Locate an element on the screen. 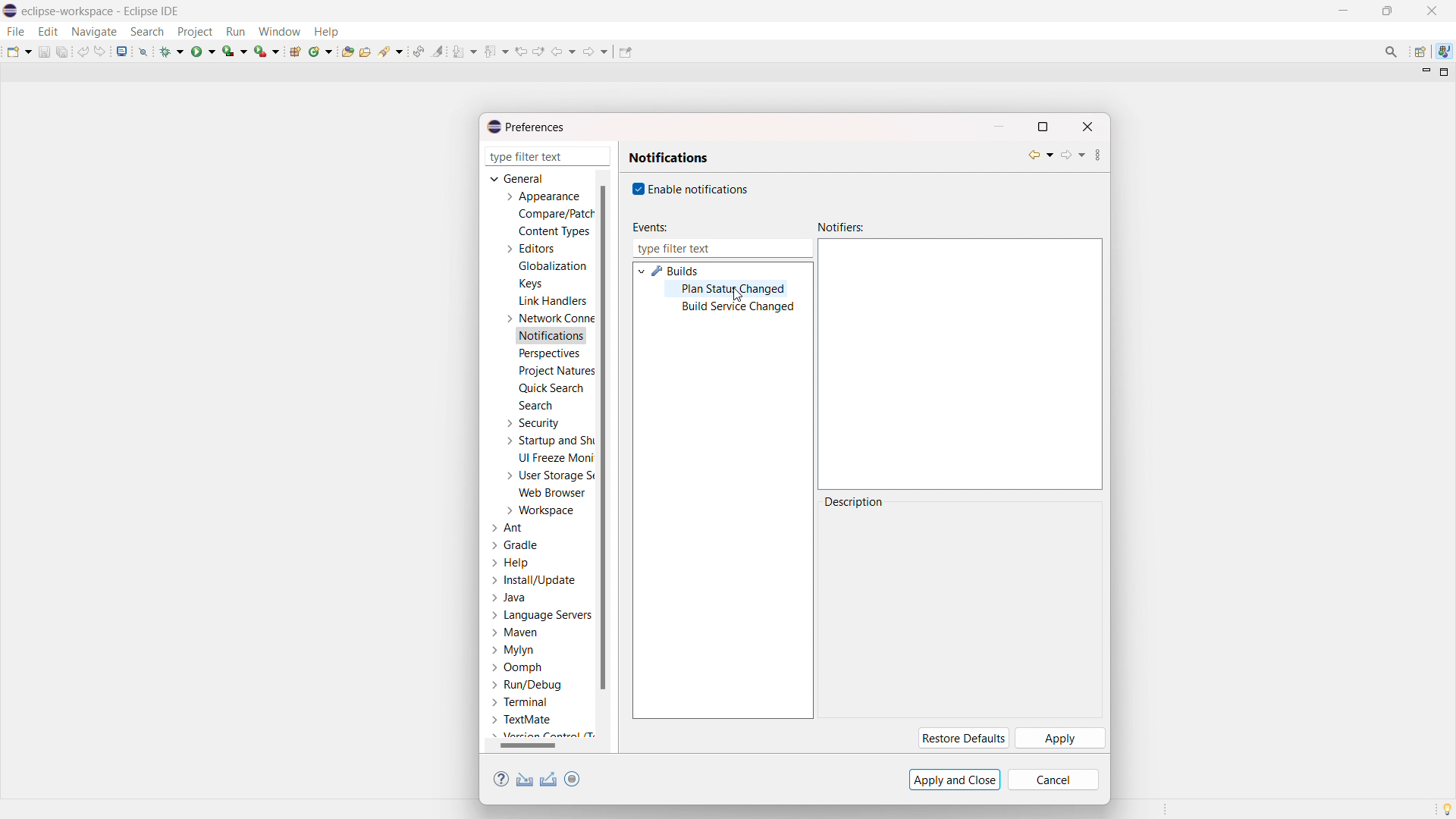 The height and width of the screenshot is (819, 1456). previous annotation is located at coordinates (496, 51).